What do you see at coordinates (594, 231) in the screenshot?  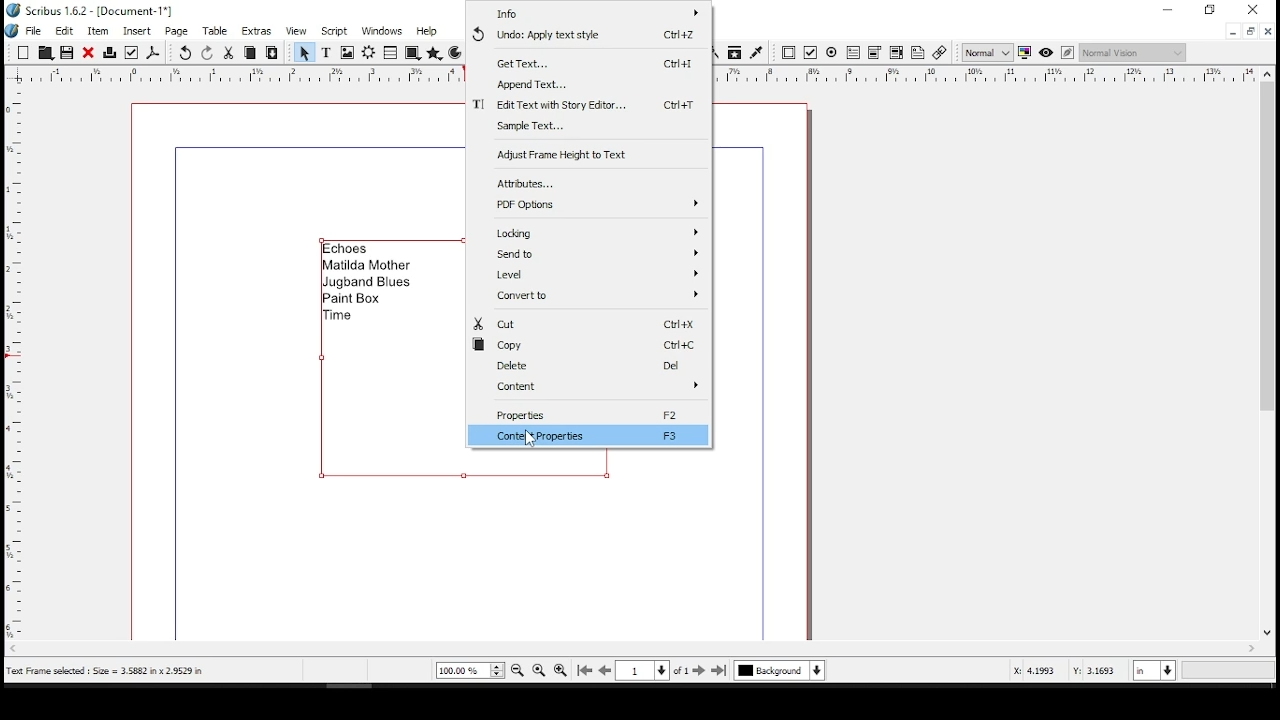 I see `locking` at bounding box center [594, 231].